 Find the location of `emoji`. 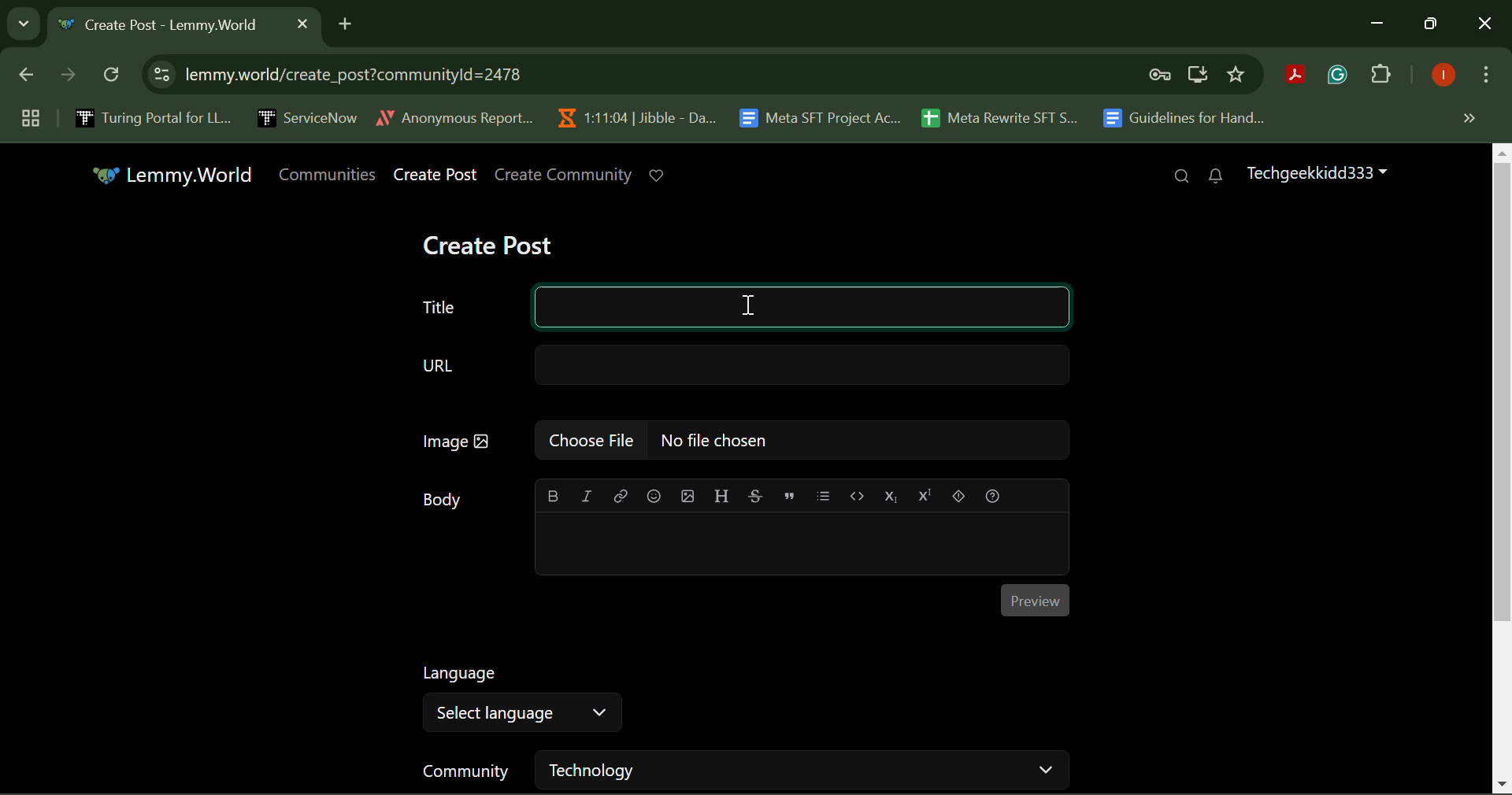

emoji is located at coordinates (655, 496).